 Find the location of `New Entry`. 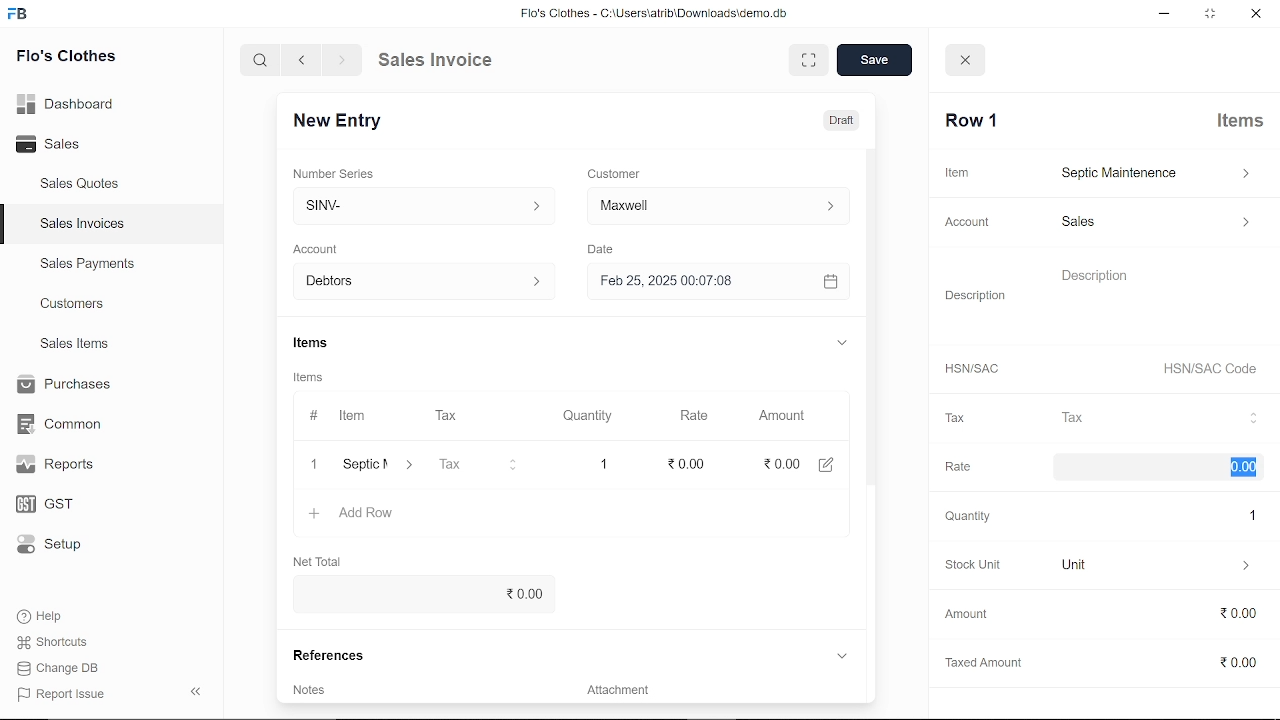

New Entry is located at coordinates (349, 123).